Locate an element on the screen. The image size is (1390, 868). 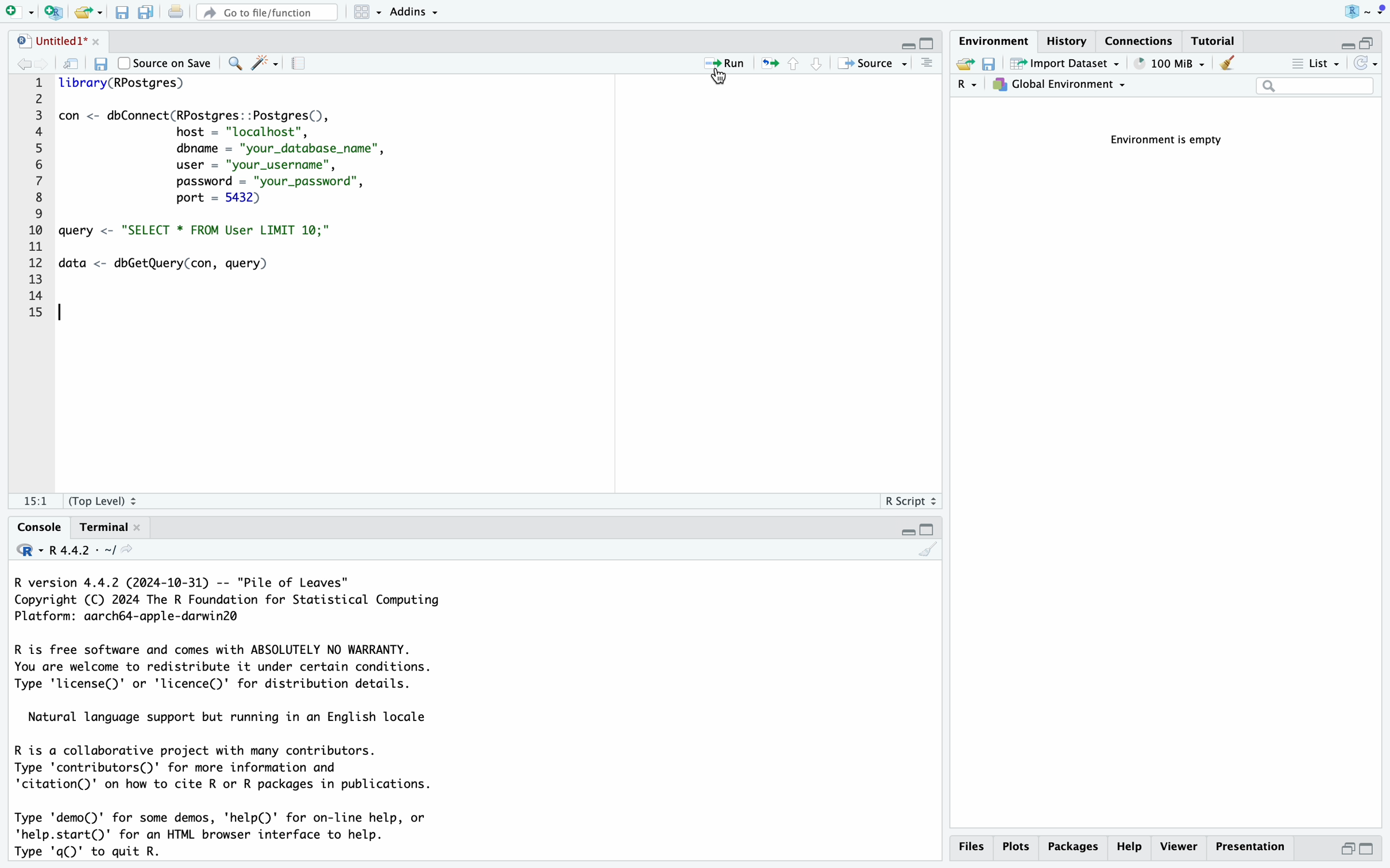
demo and help of R is located at coordinates (223, 836).